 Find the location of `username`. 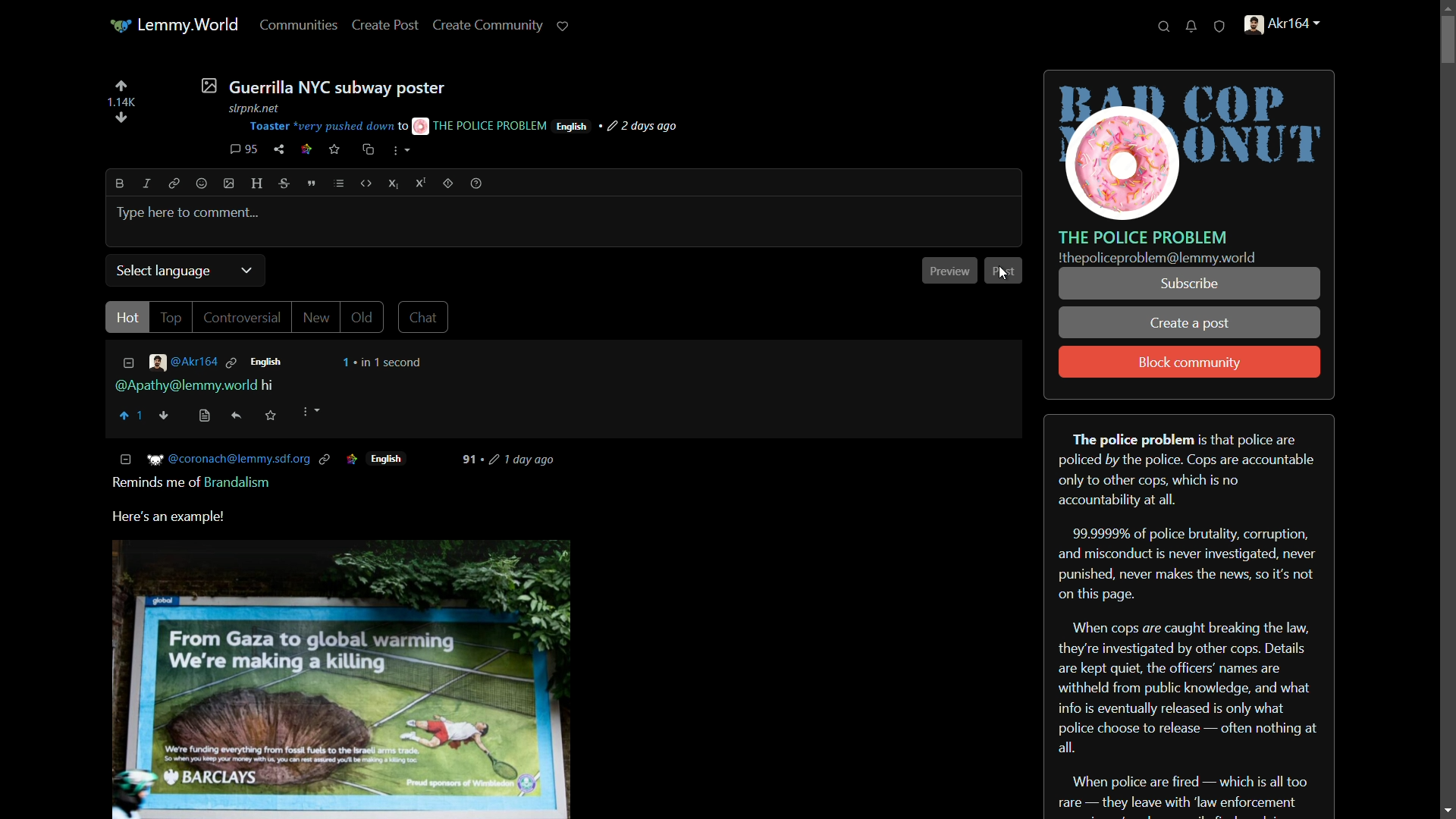

username is located at coordinates (180, 362).